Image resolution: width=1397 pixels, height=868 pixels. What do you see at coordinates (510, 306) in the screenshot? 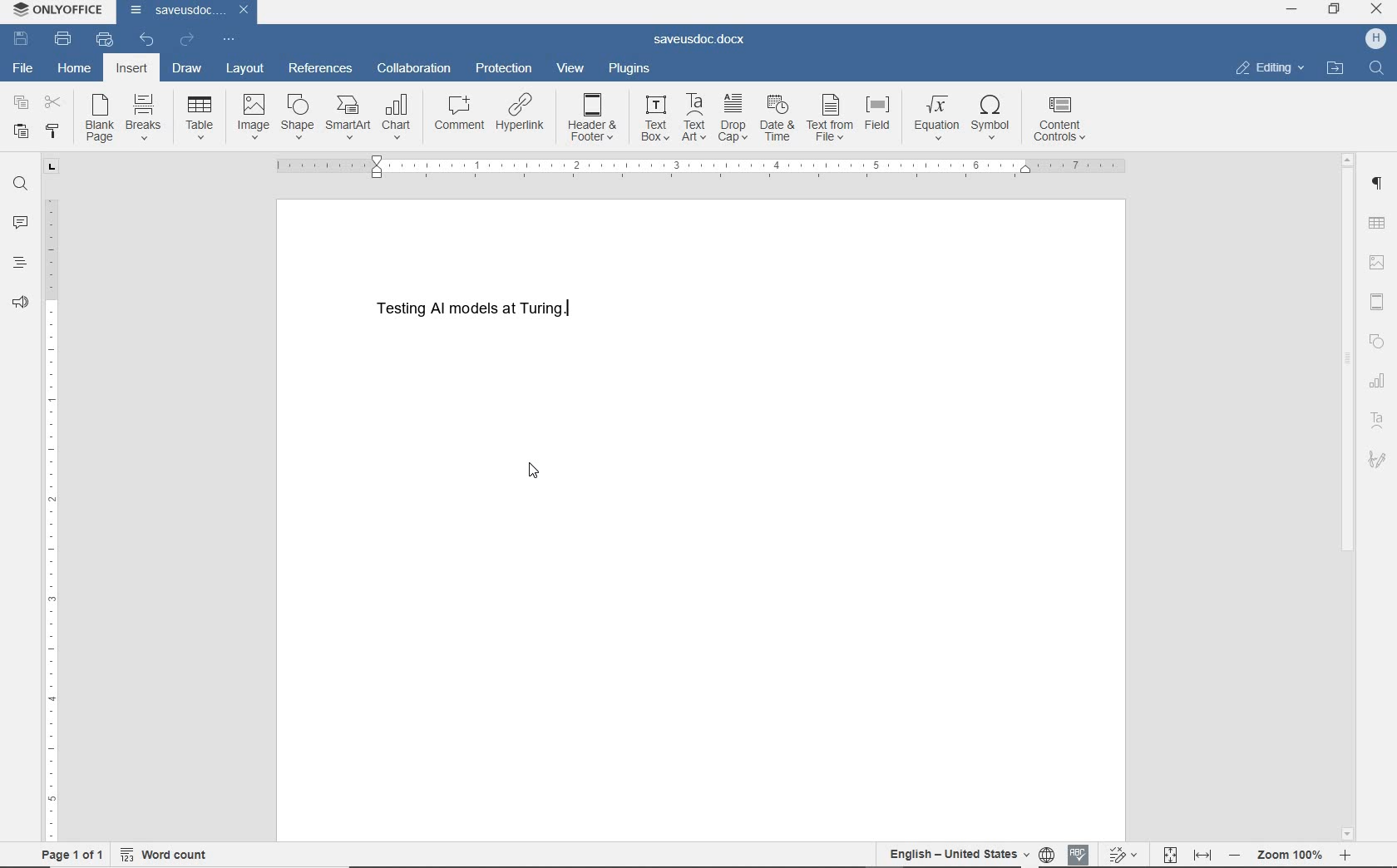
I see `Testing AI models at Turing.(text)` at bounding box center [510, 306].